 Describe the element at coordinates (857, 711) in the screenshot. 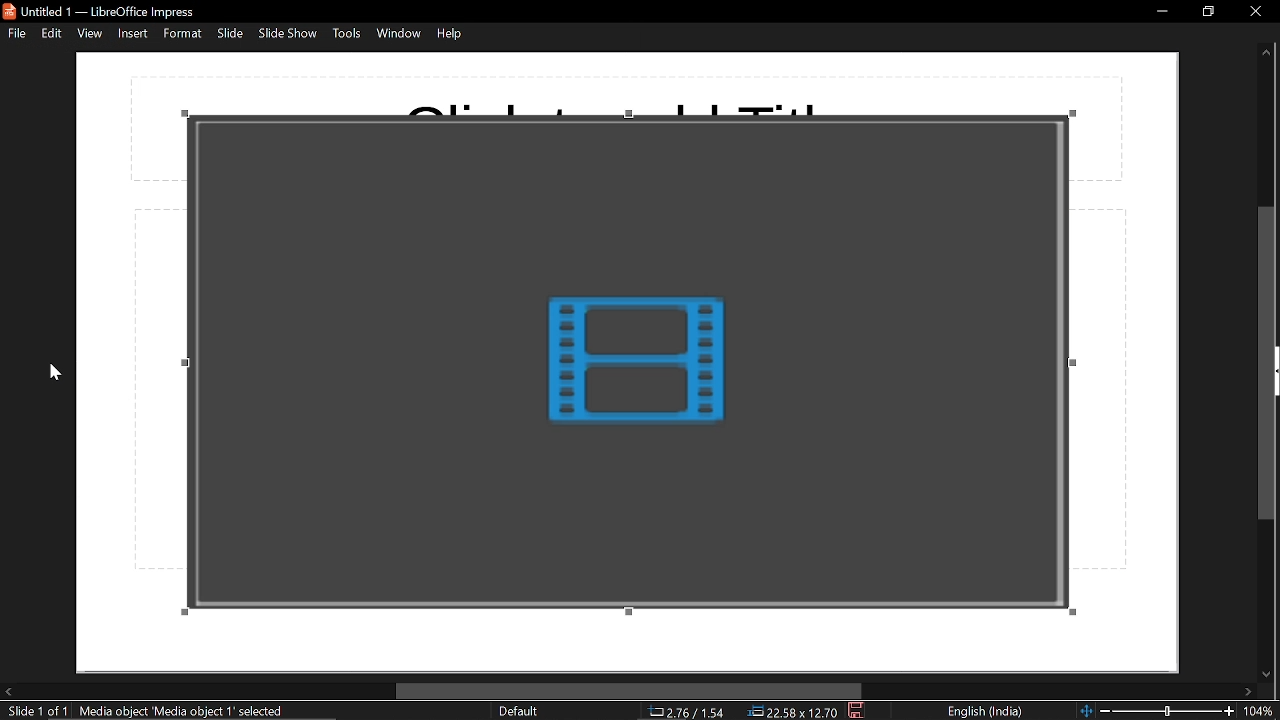

I see `save` at that location.